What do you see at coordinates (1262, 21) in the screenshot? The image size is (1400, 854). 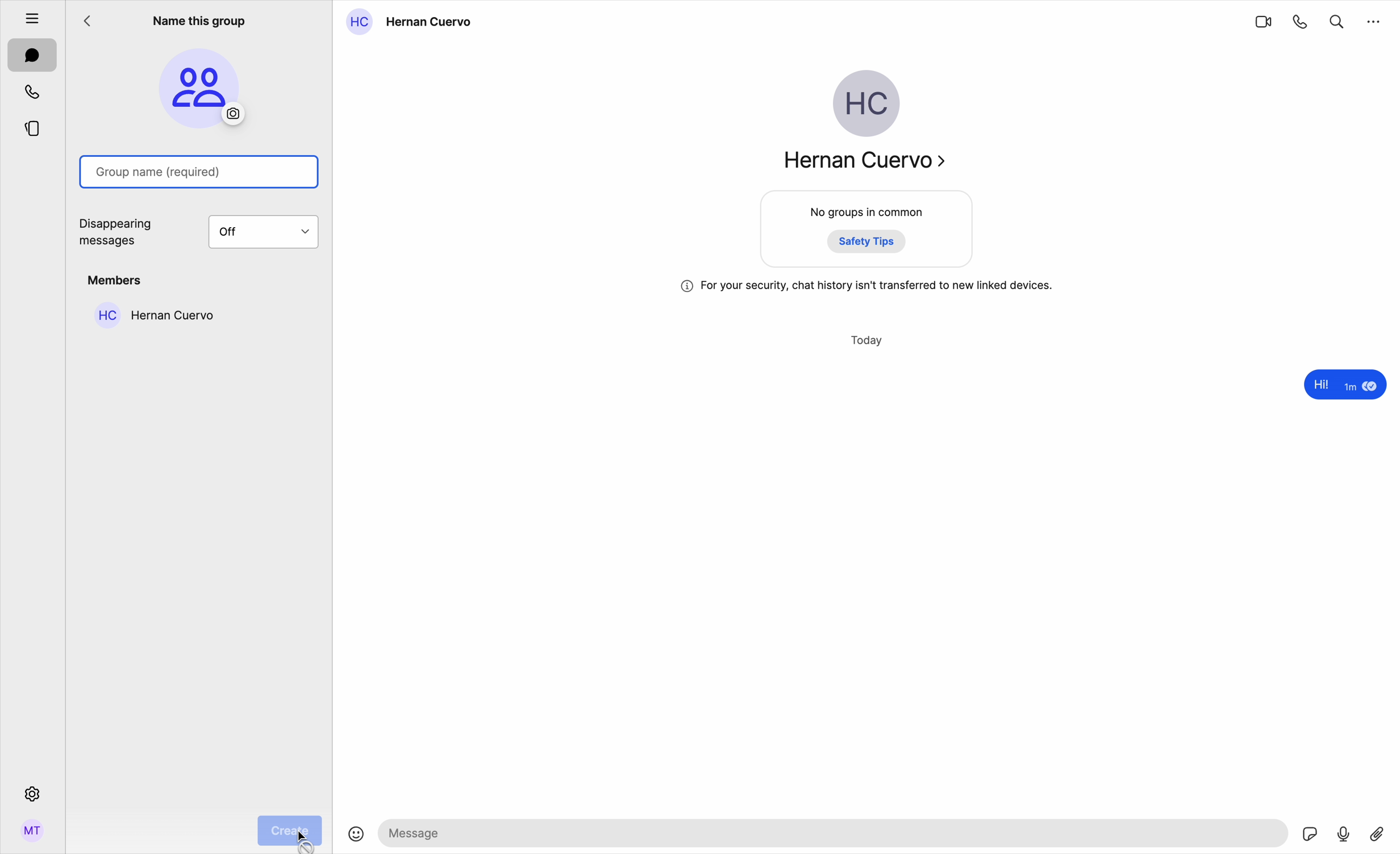 I see `videocall` at bounding box center [1262, 21].